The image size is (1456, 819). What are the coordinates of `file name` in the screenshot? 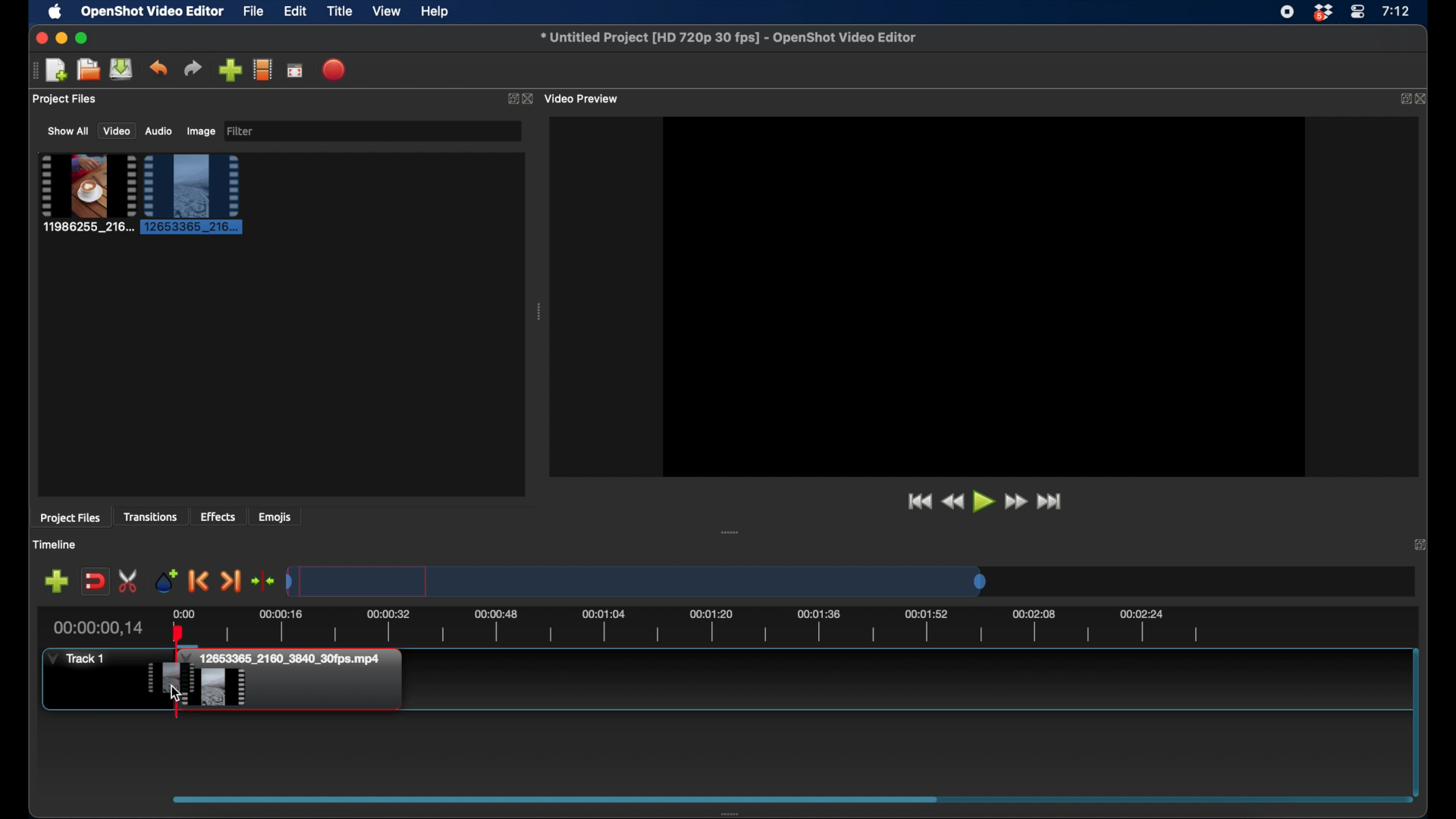 It's located at (729, 37).